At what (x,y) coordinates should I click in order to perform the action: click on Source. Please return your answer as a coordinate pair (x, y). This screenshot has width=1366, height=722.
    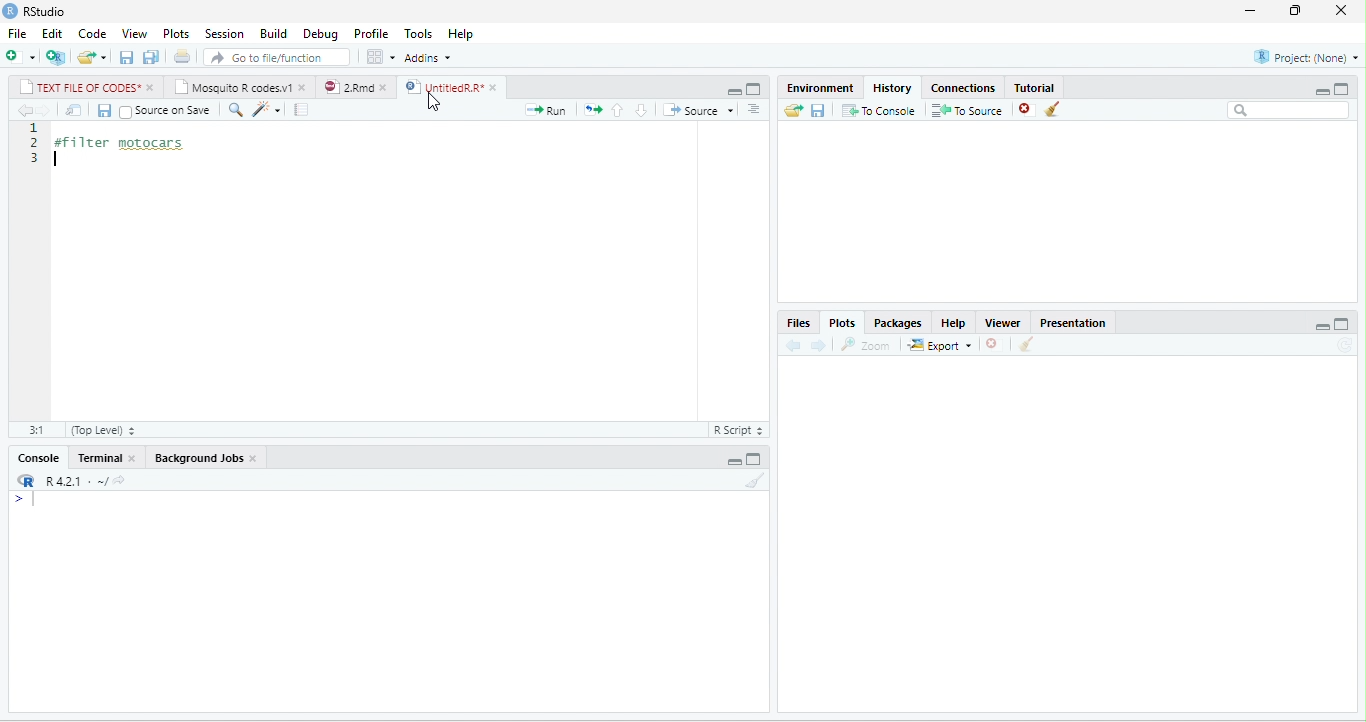
    Looking at the image, I should click on (699, 109).